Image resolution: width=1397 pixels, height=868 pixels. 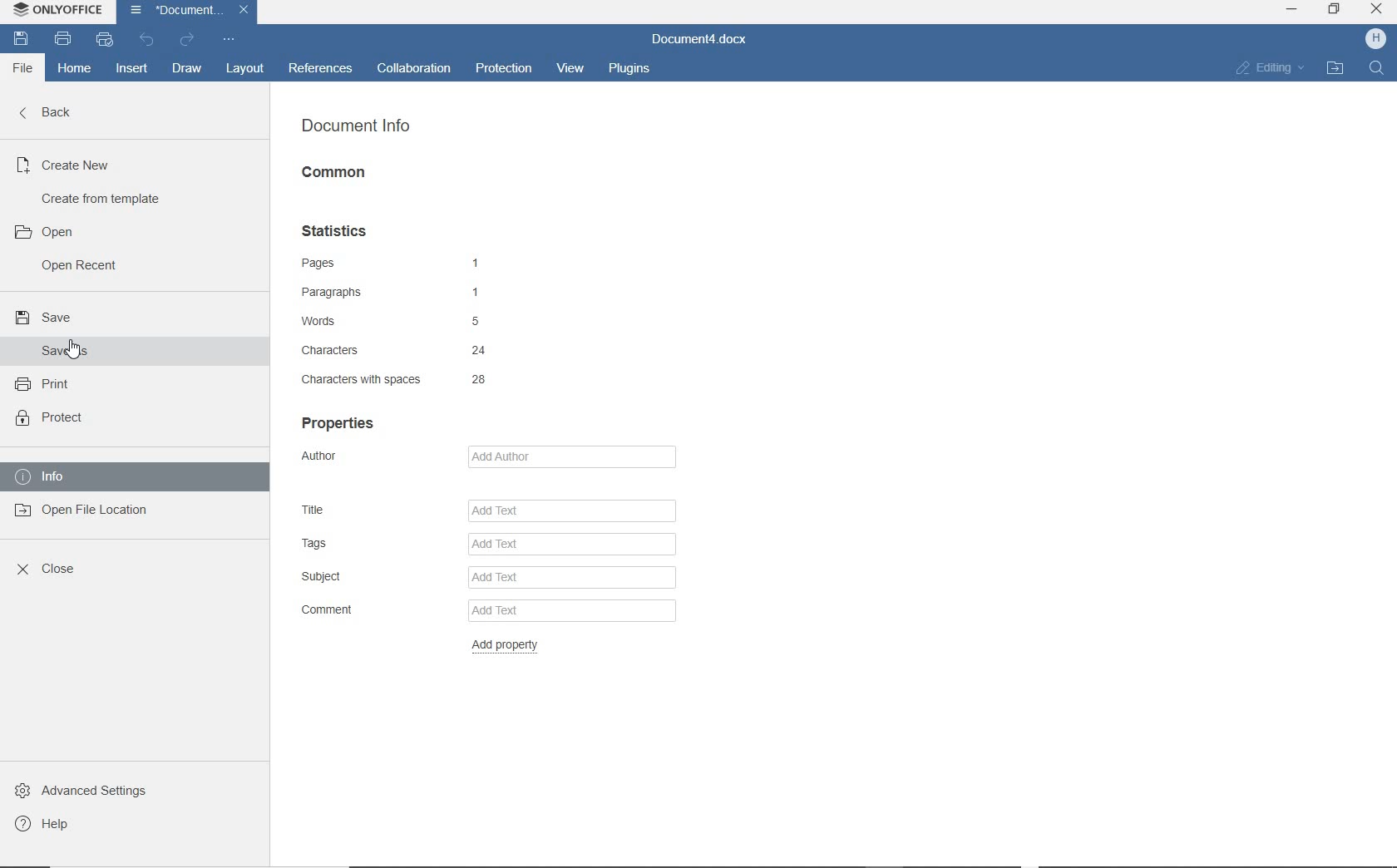 What do you see at coordinates (45, 567) in the screenshot?
I see `close` at bounding box center [45, 567].